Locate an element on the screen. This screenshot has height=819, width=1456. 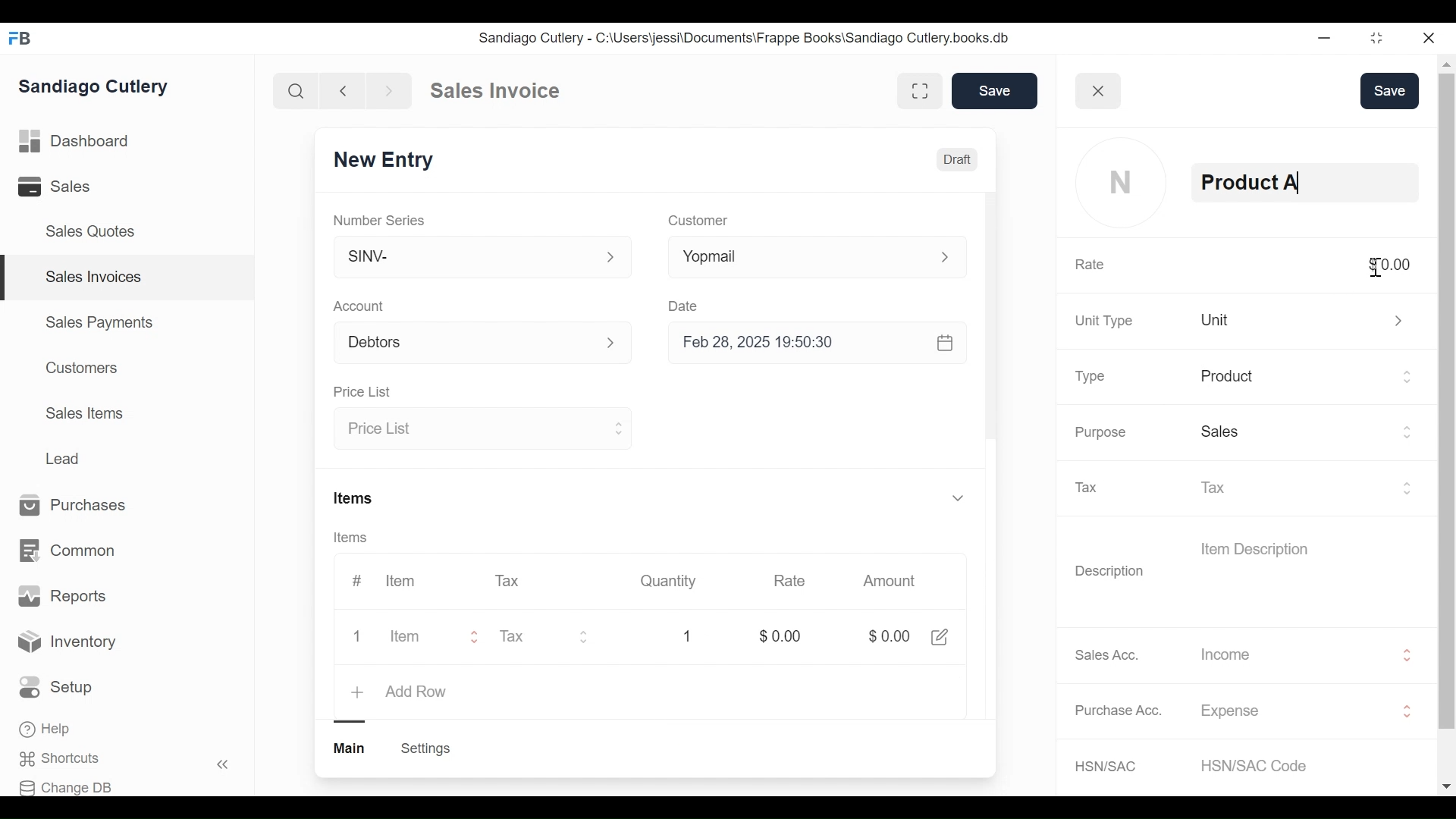
Create is located at coordinates (425, 749).